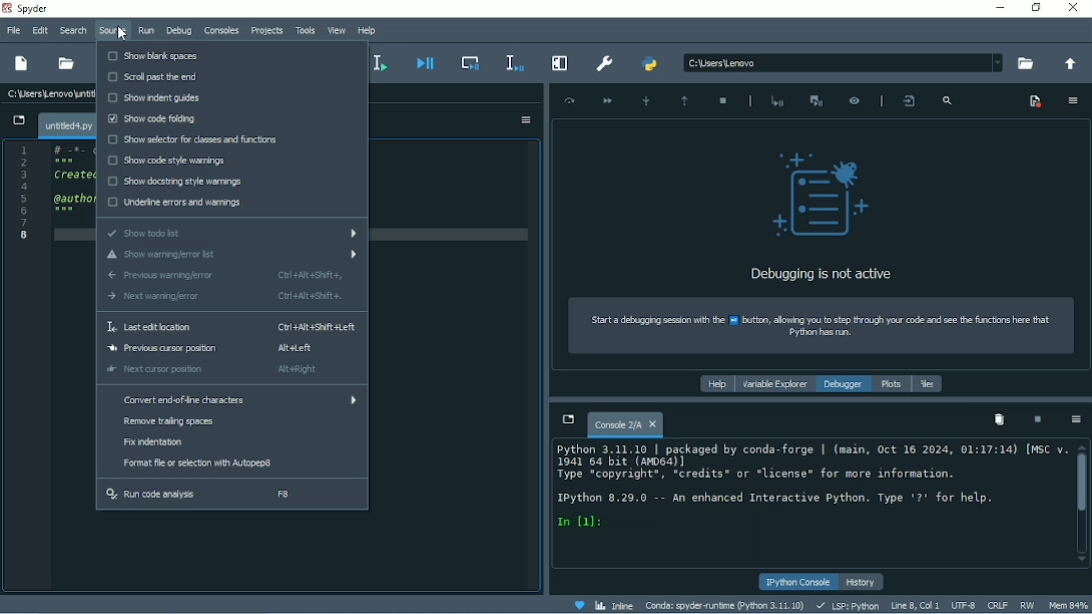 Image resolution: width=1092 pixels, height=614 pixels. What do you see at coordinates (230, 256) in the screenshot?
I see `Show warning/error list` at bounding box center [230, 256].